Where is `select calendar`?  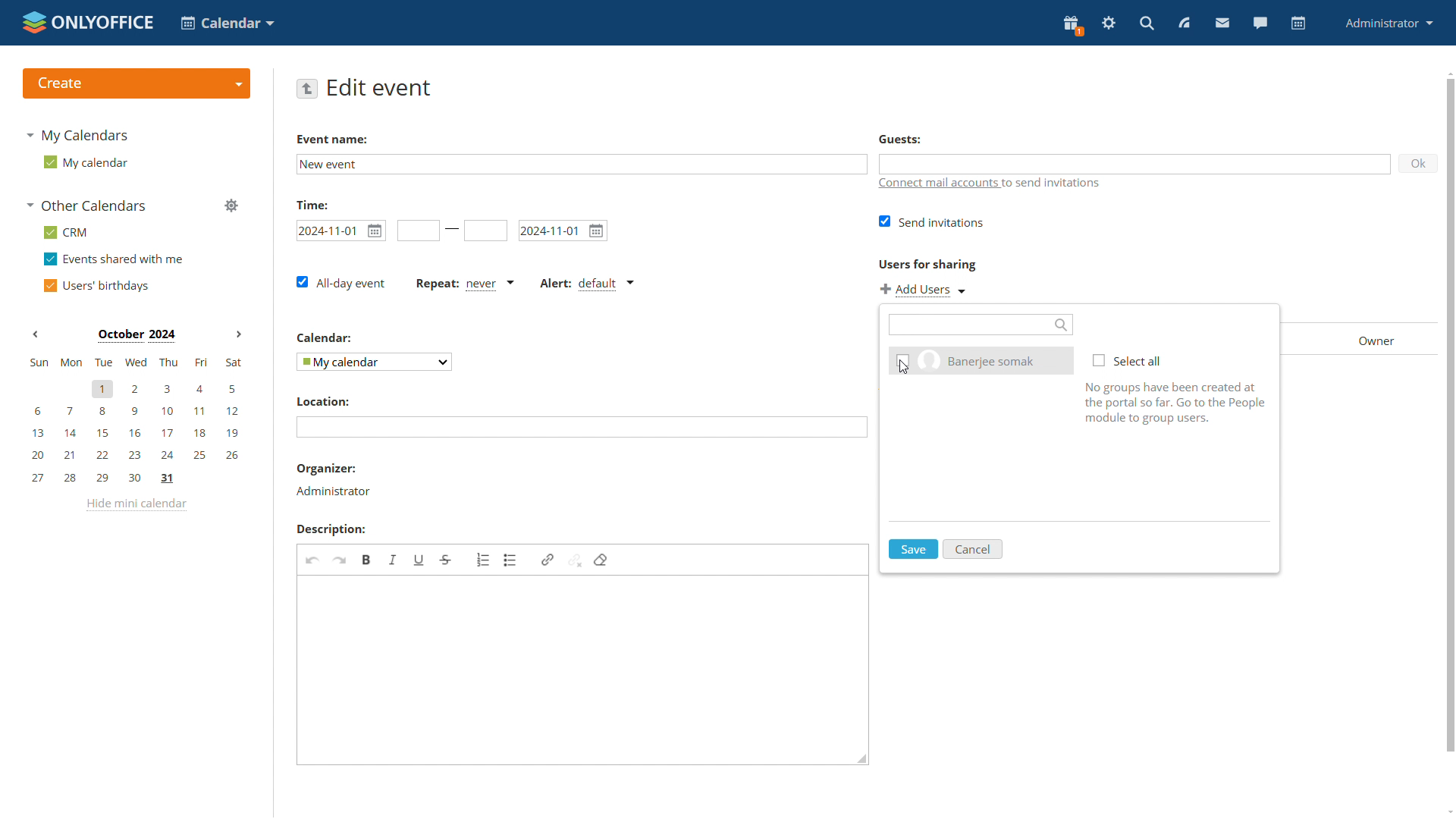 select calendar is located at coordinates (374, 362).